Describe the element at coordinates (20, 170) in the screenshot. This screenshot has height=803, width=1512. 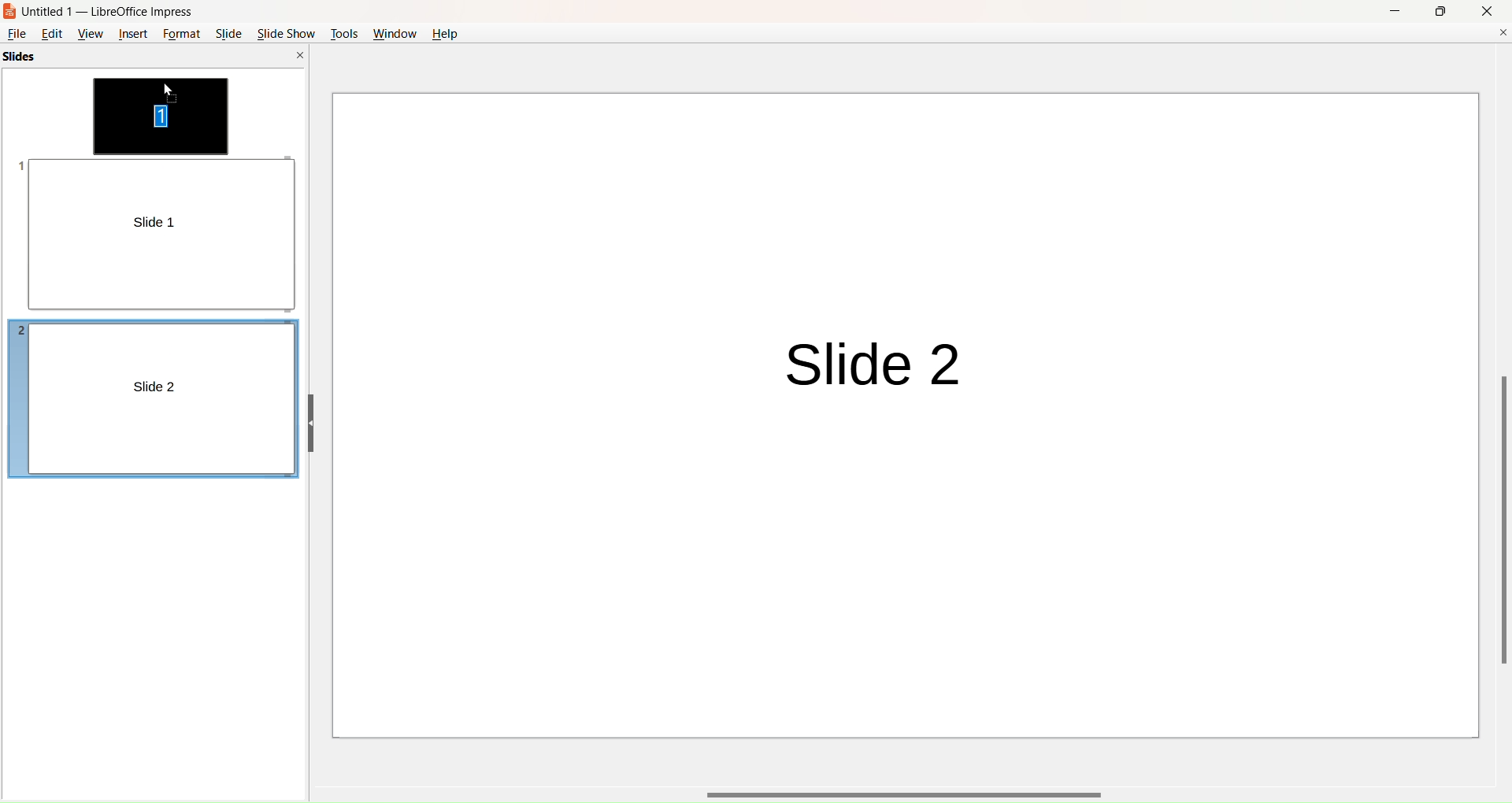
I see `slide number` at that location.